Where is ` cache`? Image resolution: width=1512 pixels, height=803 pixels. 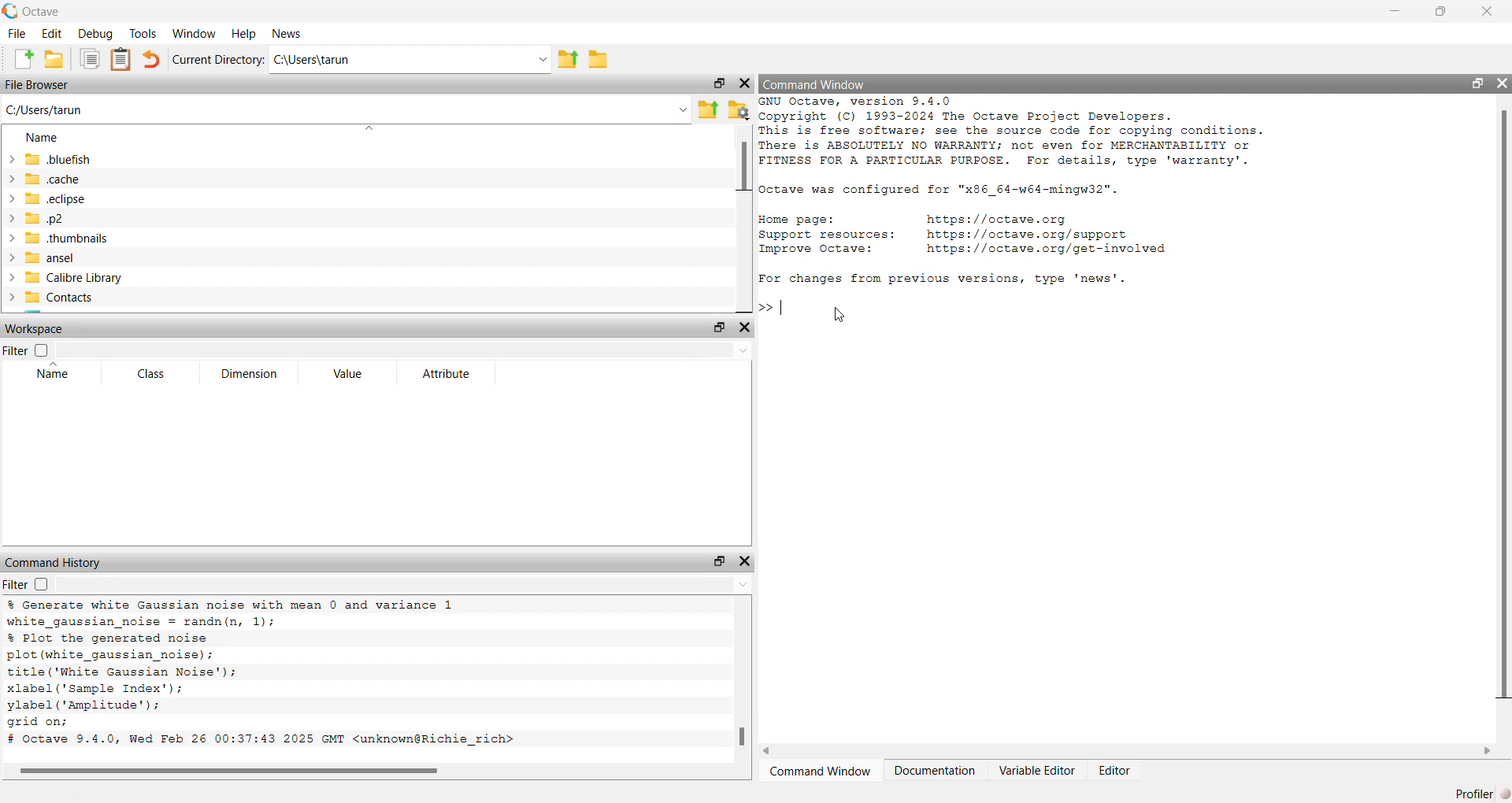
 cache is located at coordinates (54, 178).